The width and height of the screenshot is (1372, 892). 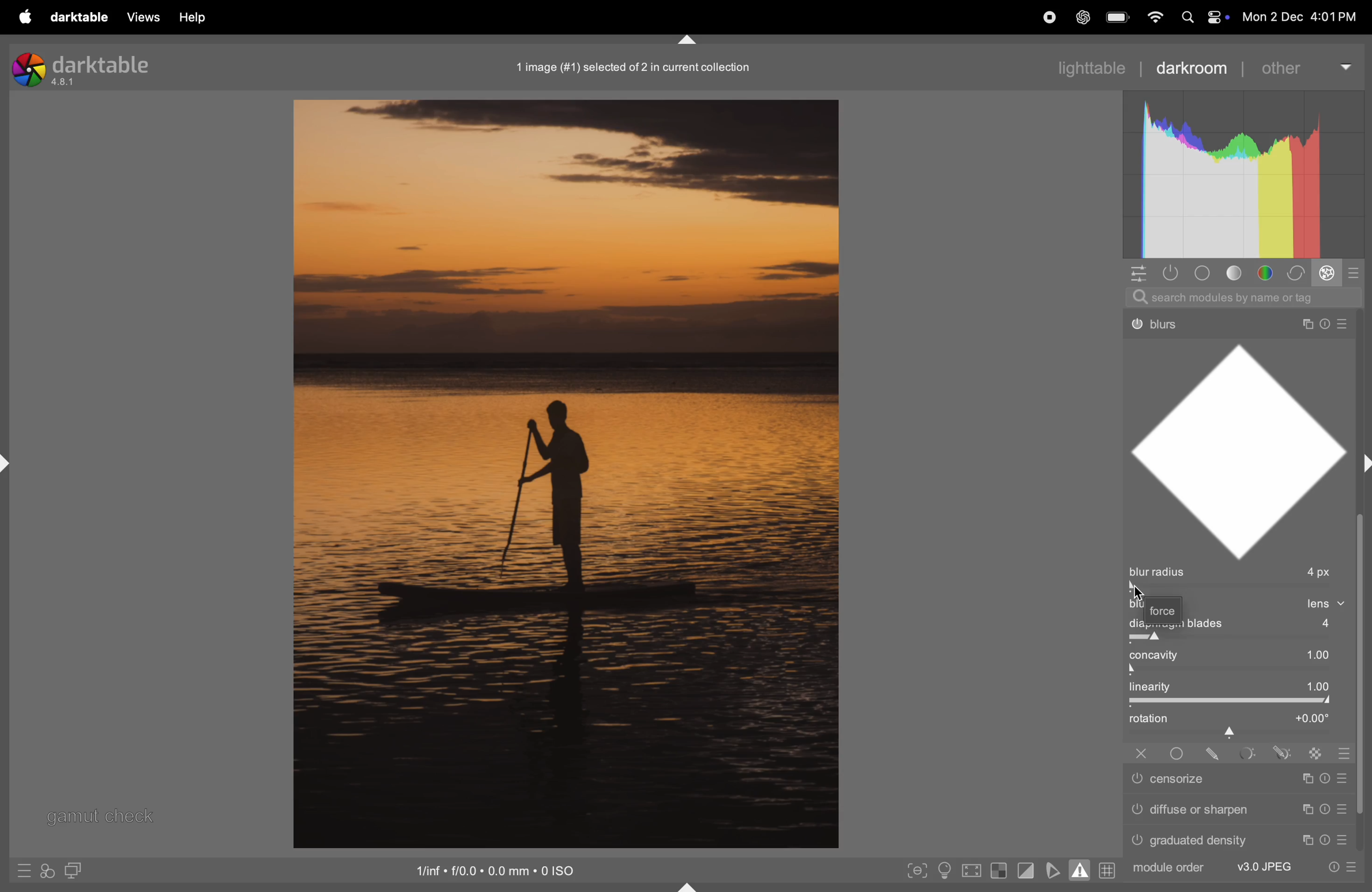 I want to click on , so click(x=1348, y=754).